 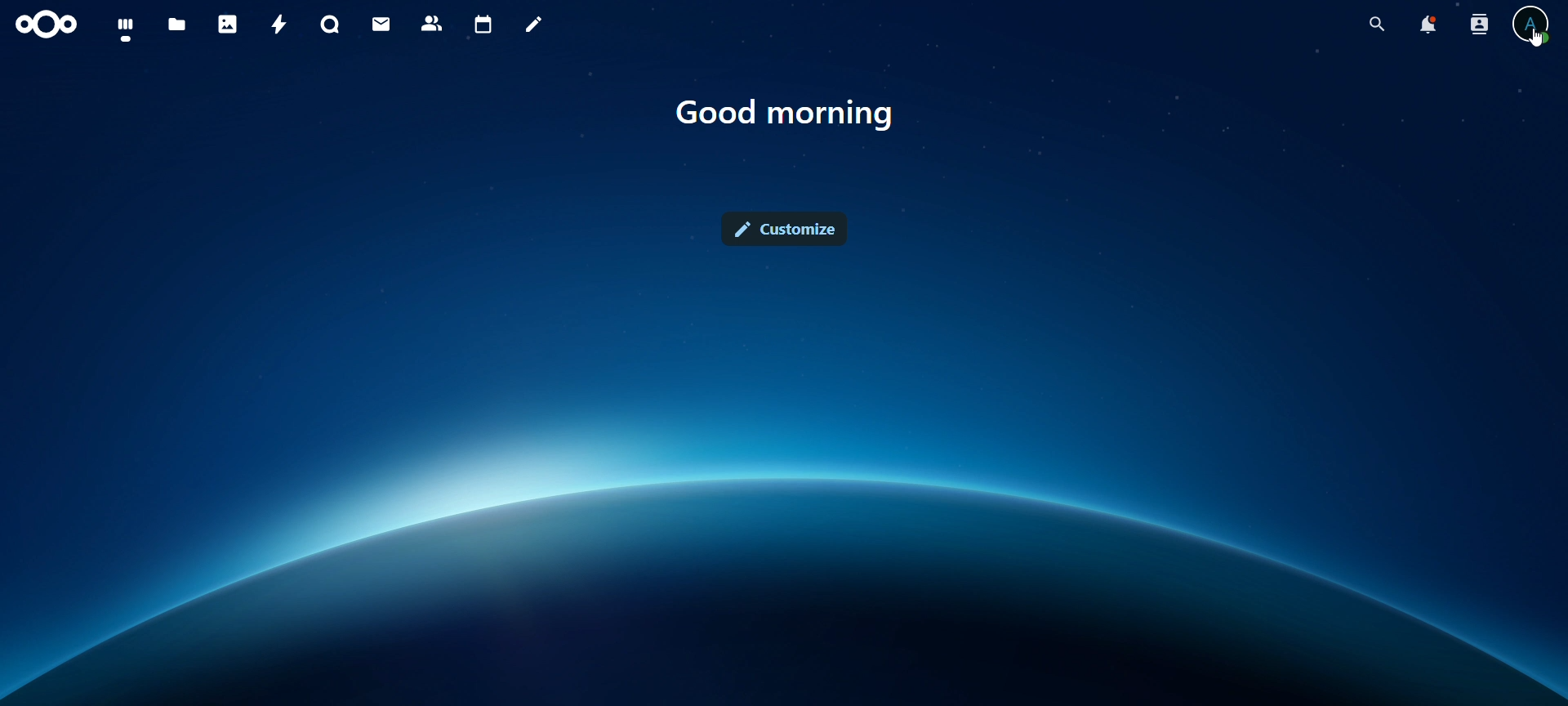 What do you see at coordinates (433, 25) in the screenshot?
I see `contacts` at bounding box center [433, 25].